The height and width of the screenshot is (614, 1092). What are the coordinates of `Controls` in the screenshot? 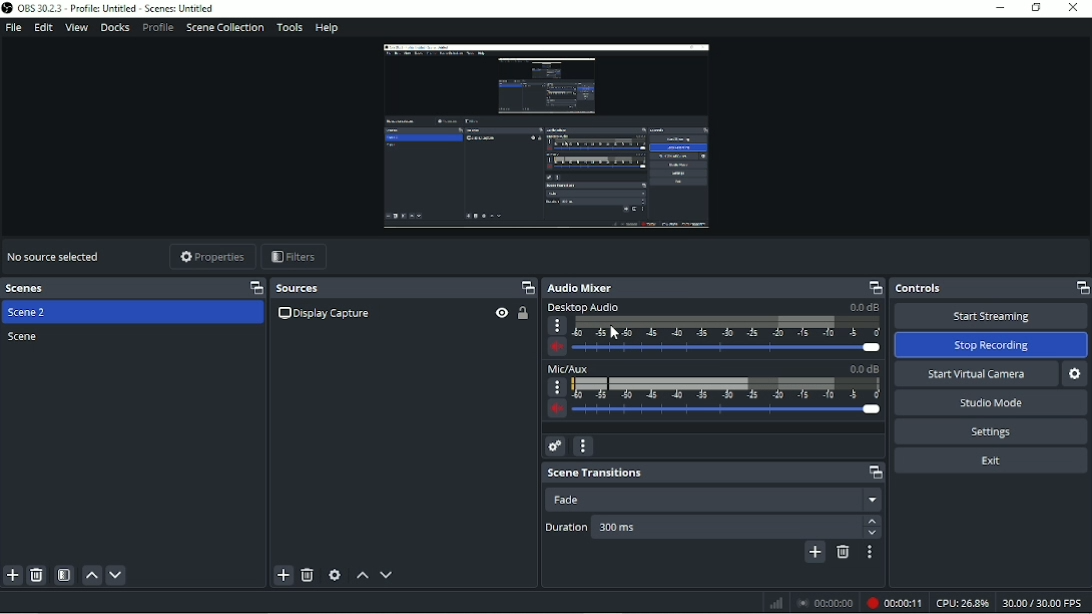 It's located at (989, 288).